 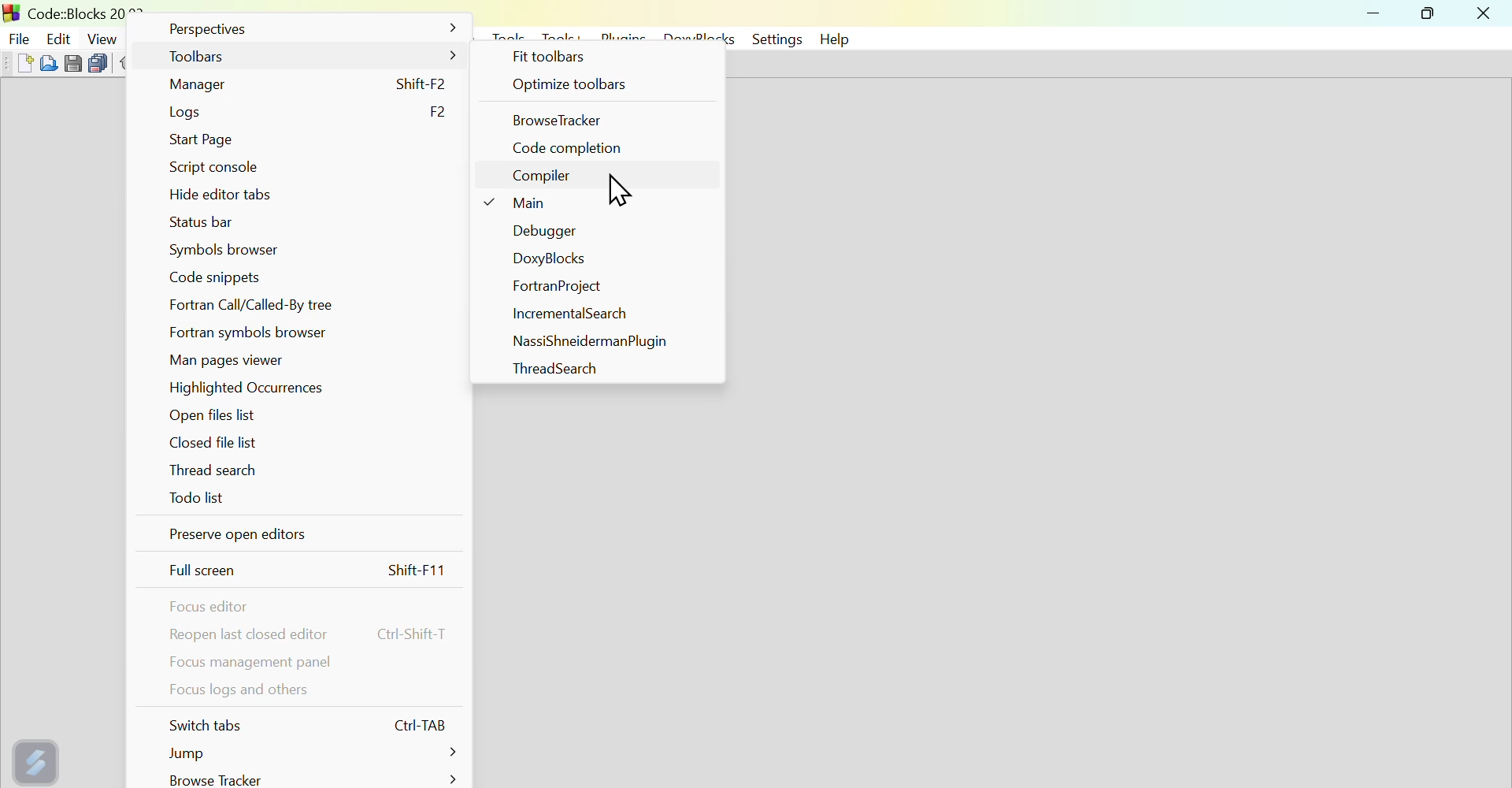 I want to click on Closed files list, so click(x=210, y=442).